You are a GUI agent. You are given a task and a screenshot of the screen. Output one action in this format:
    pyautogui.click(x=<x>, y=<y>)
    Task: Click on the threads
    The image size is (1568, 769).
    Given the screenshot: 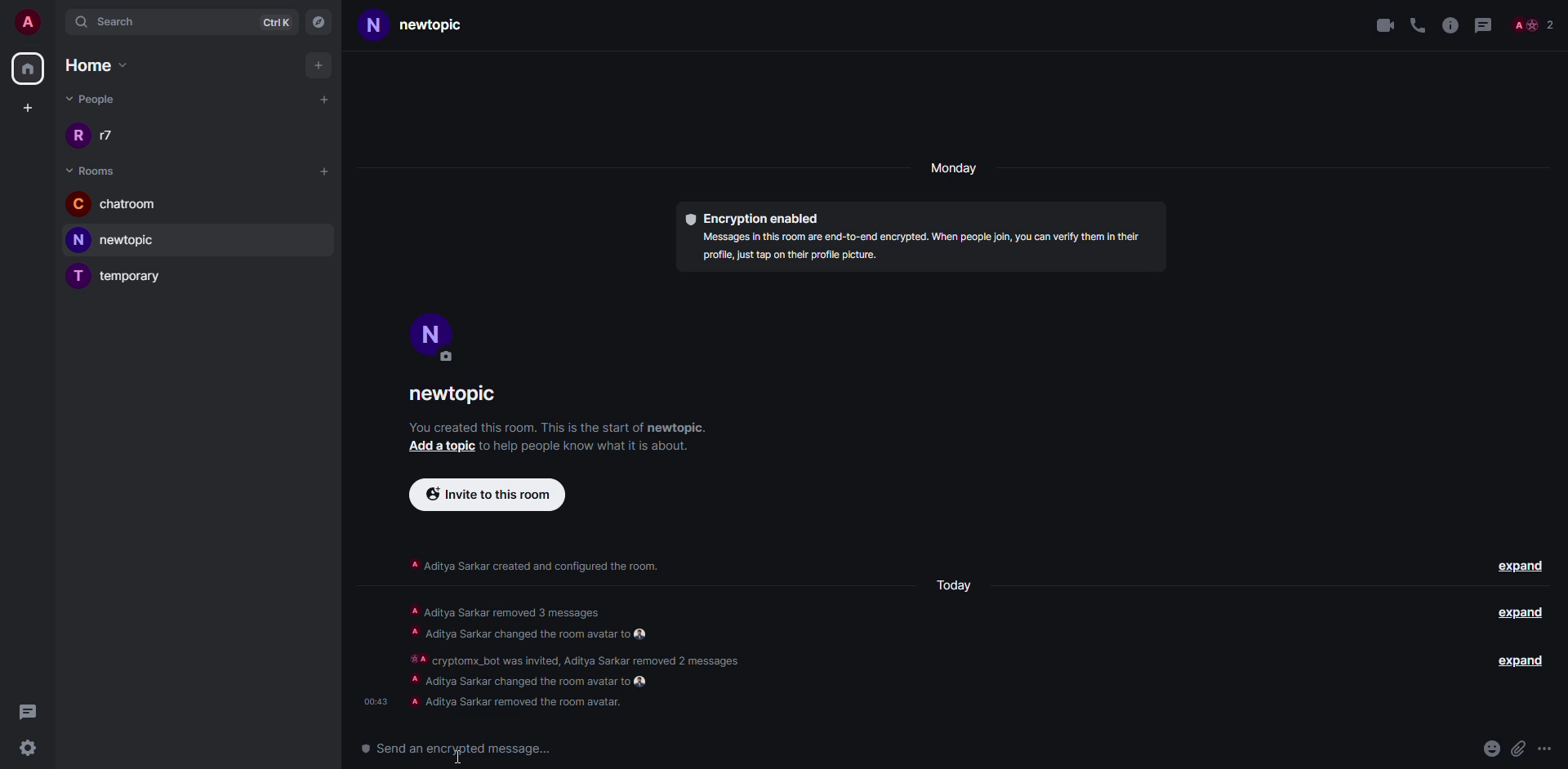 What is the action you would take?
    pyautogui.click(x=1482, y=23)
    